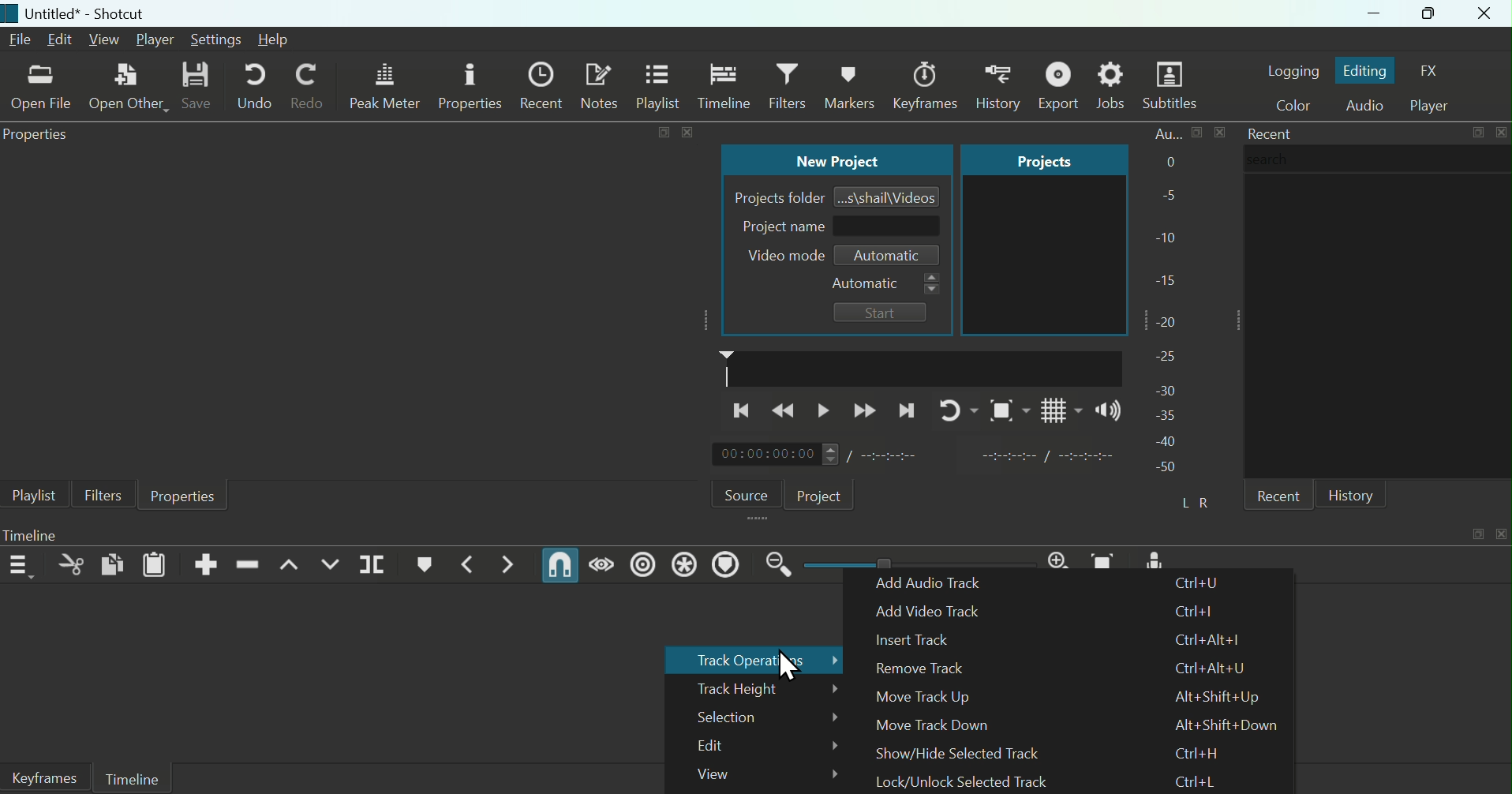  Describe the element at coordinates (884, 284) in the screenshot. I see `Automatic` at that location.